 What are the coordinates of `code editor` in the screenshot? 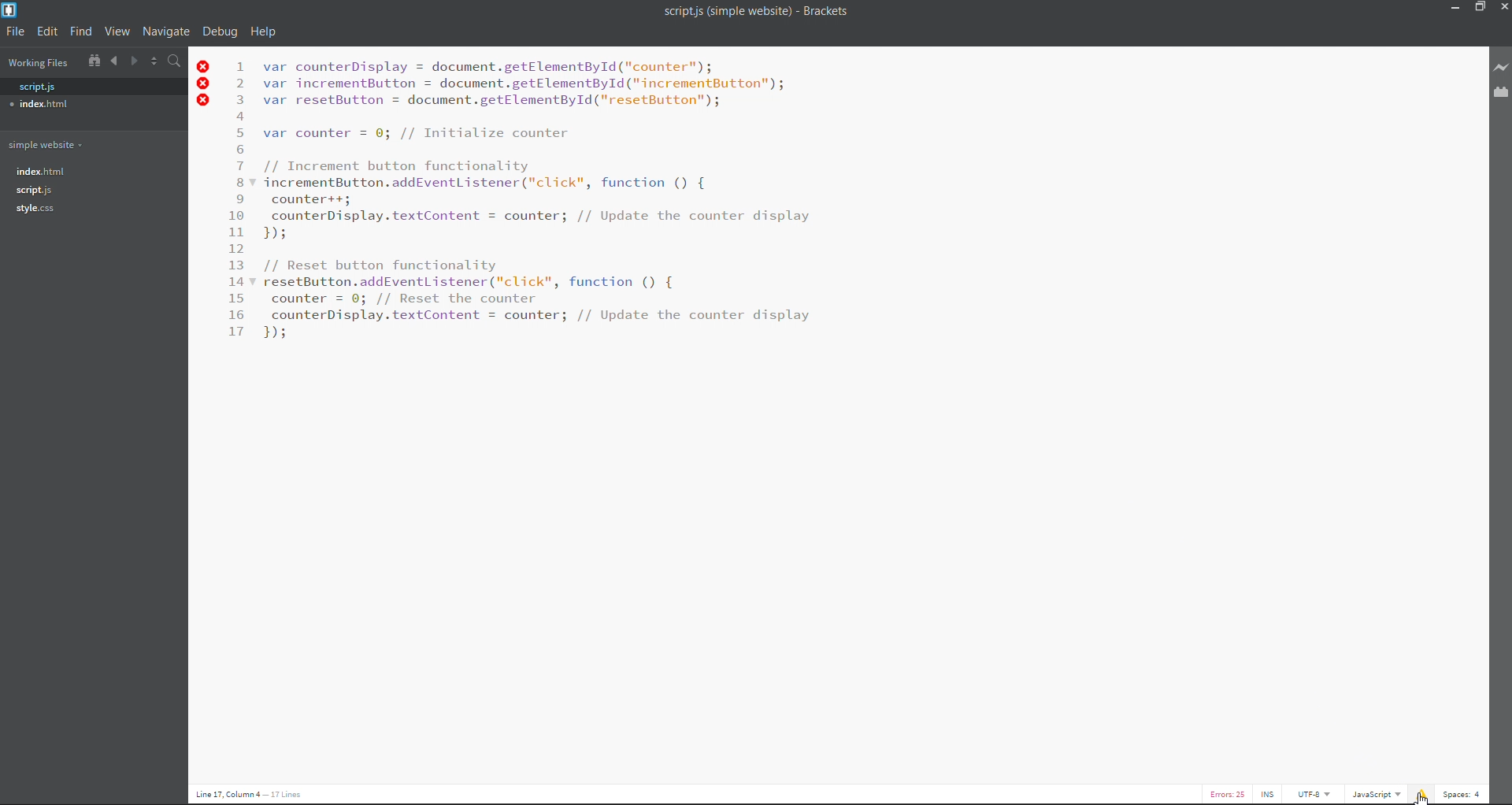 It's located at (542, 201).